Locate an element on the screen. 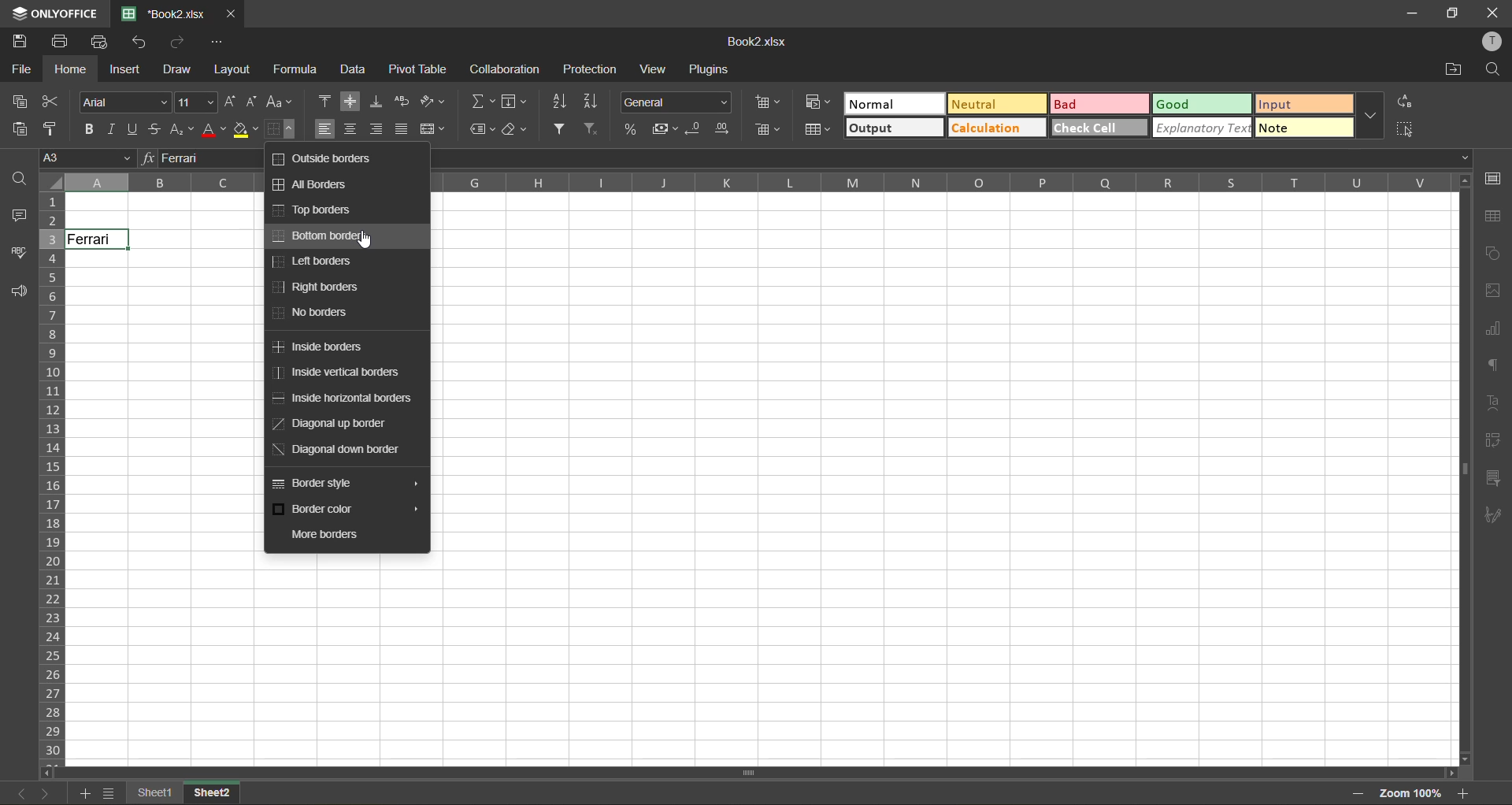 The width and height of the screenshot is (1512, 805). zoom out is located at coordinates (1358, 792).